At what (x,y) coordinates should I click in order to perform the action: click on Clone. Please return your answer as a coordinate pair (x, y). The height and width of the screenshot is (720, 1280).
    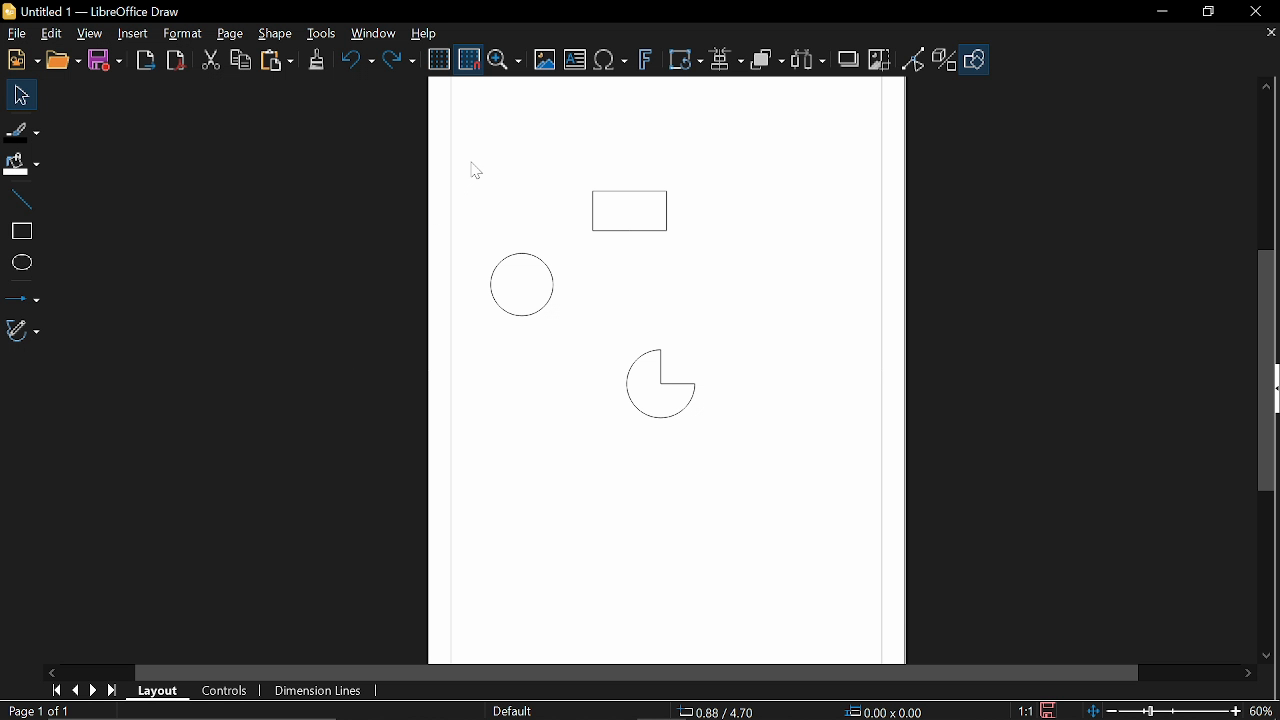
    Looking at the image, I should click on (315, 62).